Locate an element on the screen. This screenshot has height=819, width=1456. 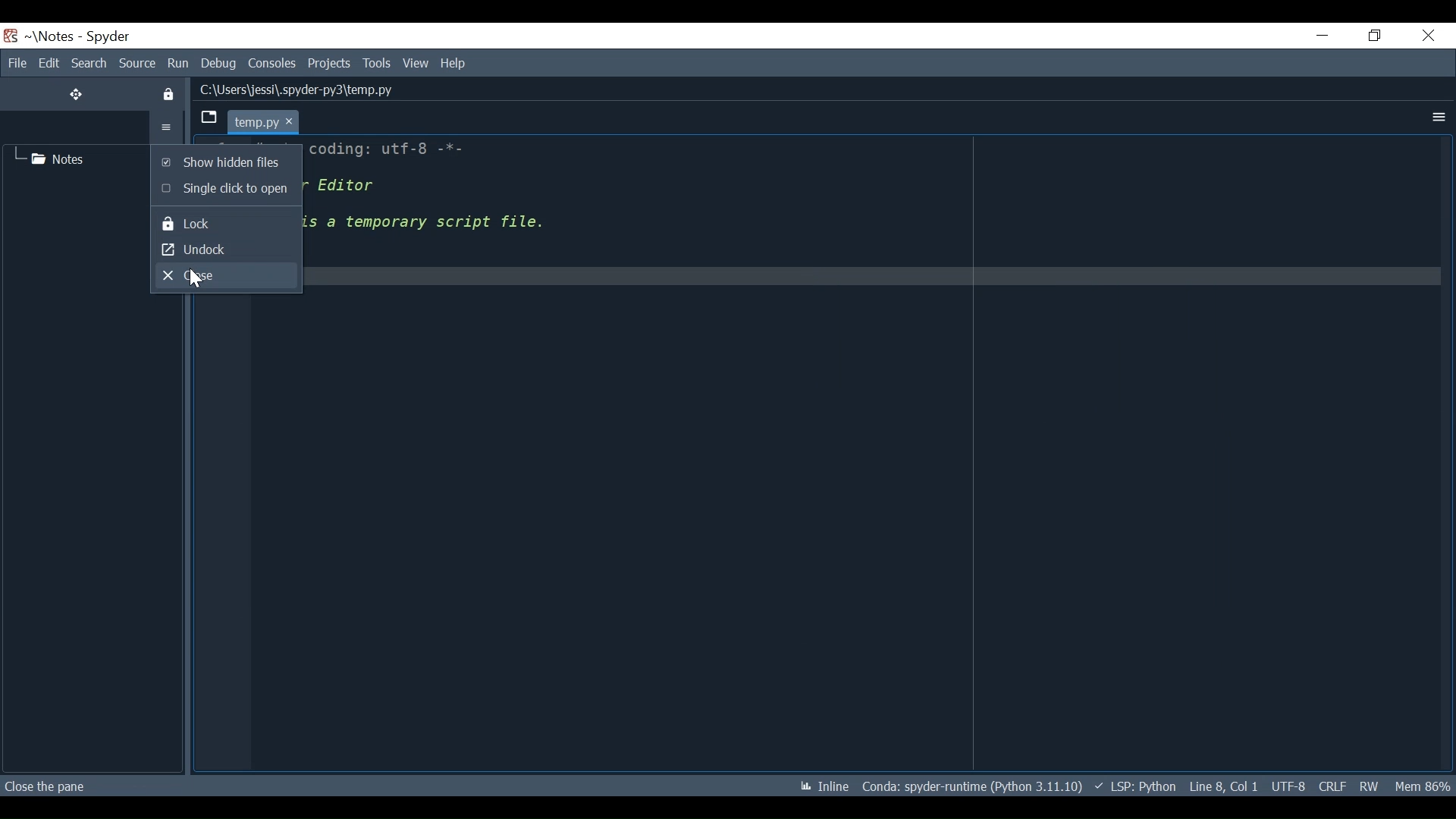
More Options  is located at coordinates (167, 127).